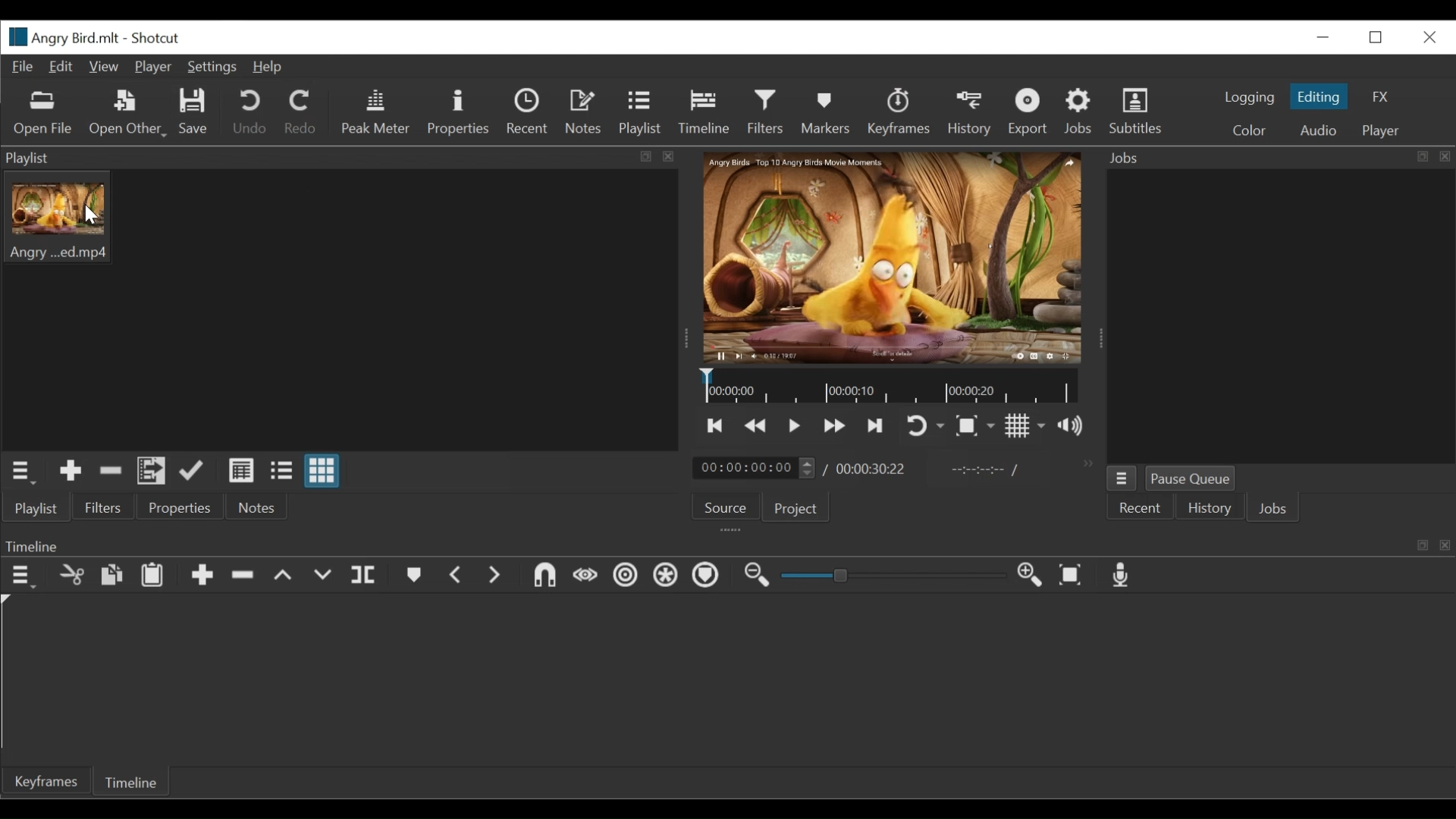 The height and width of the screenshot is (819, 1456). Describe the element at coordinates (1379, 96) in the screenshot. I see `FX` at that location.